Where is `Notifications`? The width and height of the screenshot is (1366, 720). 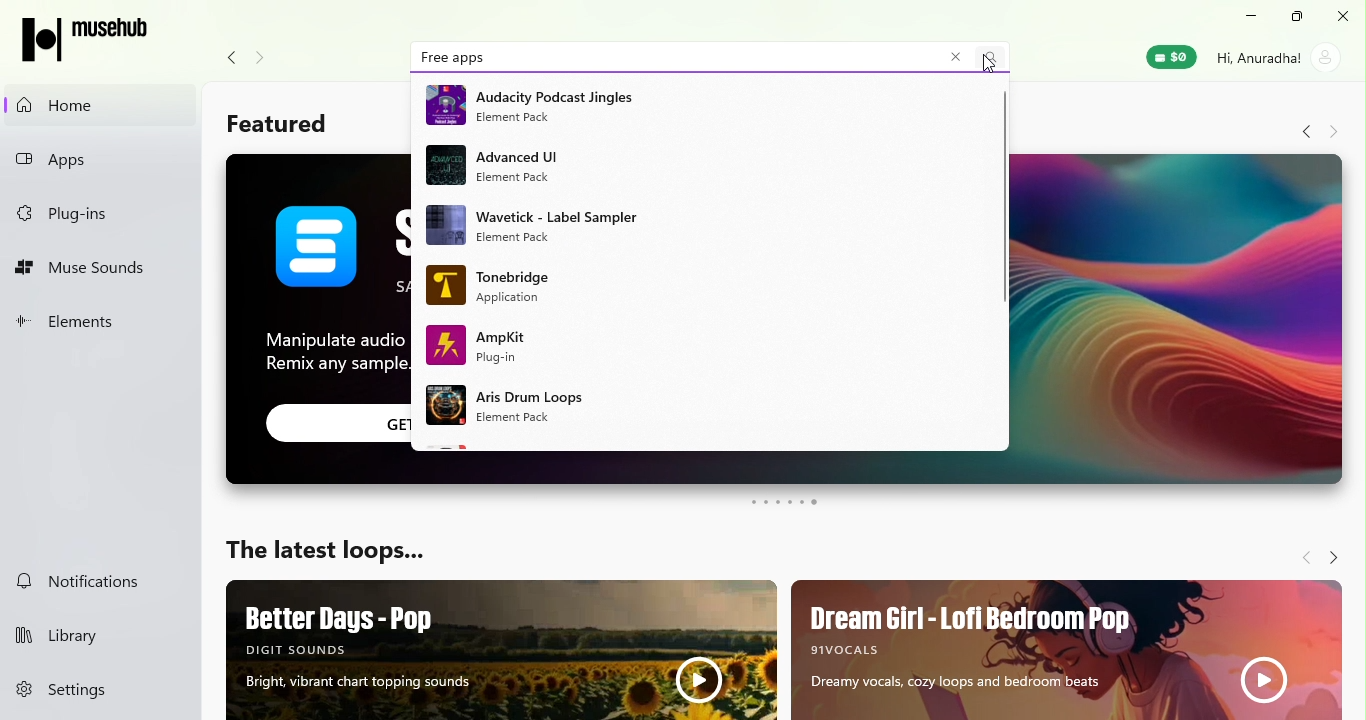 Notifications is located at coordinates (89, 579).